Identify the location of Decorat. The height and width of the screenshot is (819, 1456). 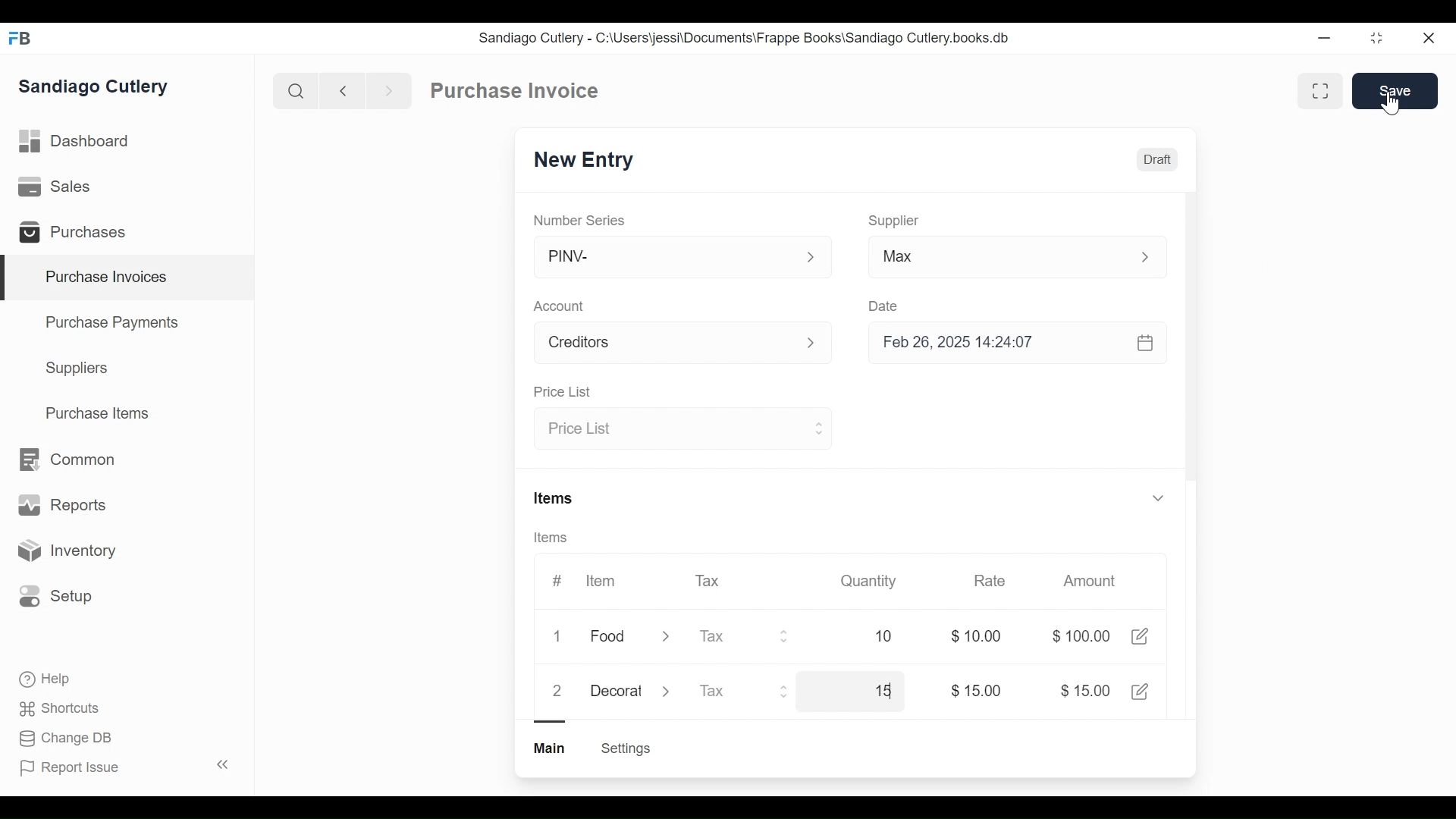
(617, 689).